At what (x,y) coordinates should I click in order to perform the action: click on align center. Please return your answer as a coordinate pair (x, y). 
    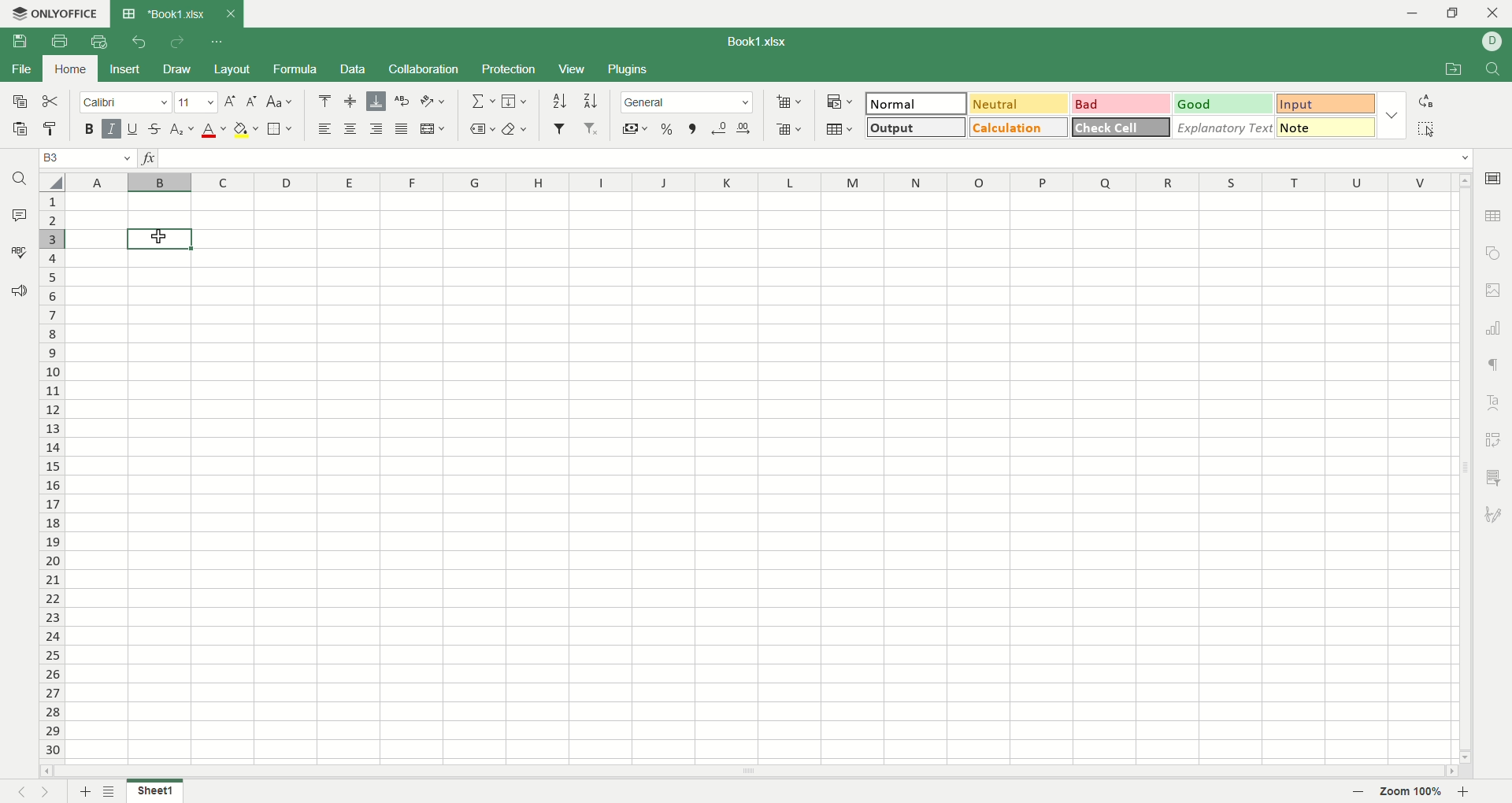
    Looking at the image, I should click on (349, 128).